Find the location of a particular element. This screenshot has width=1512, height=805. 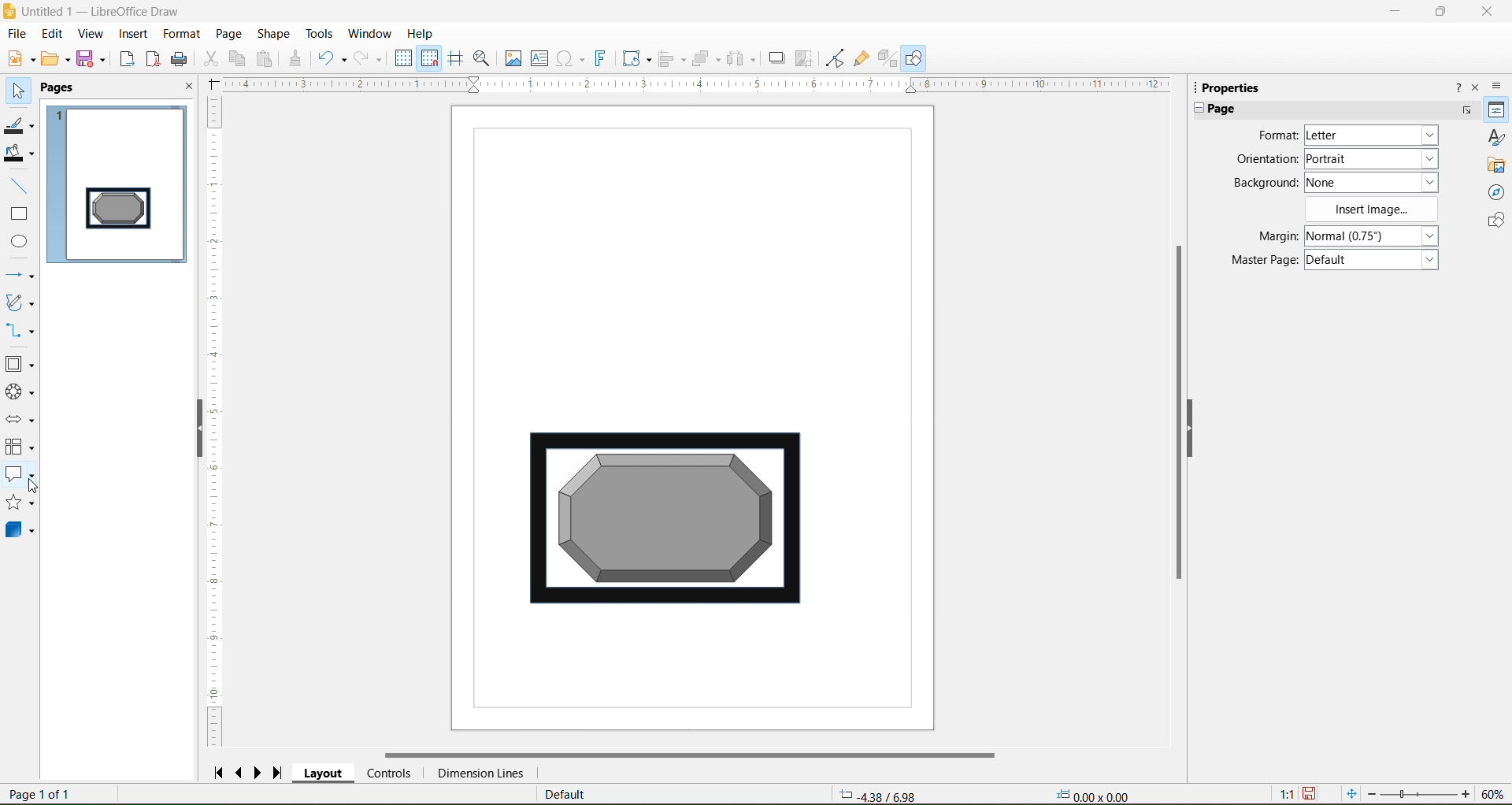

Select background is located at coordinates (1380, 182).